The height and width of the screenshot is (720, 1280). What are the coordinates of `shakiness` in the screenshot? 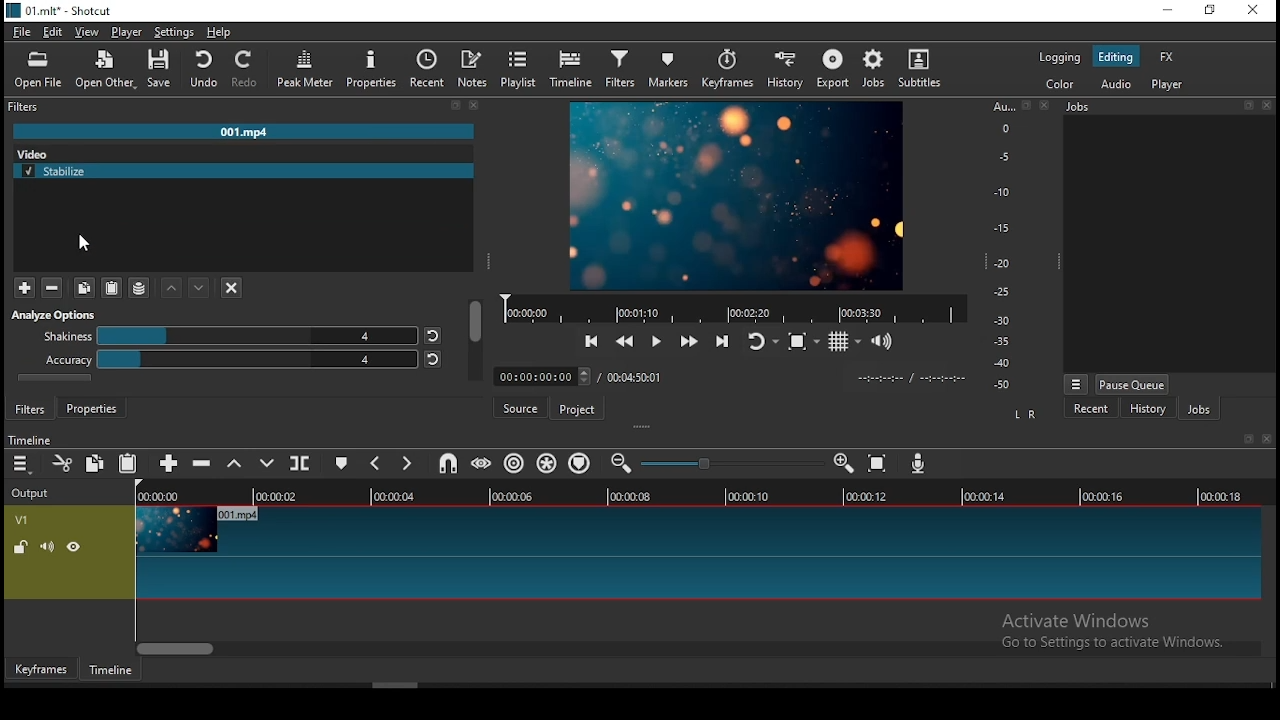 It's located at (227, 336).